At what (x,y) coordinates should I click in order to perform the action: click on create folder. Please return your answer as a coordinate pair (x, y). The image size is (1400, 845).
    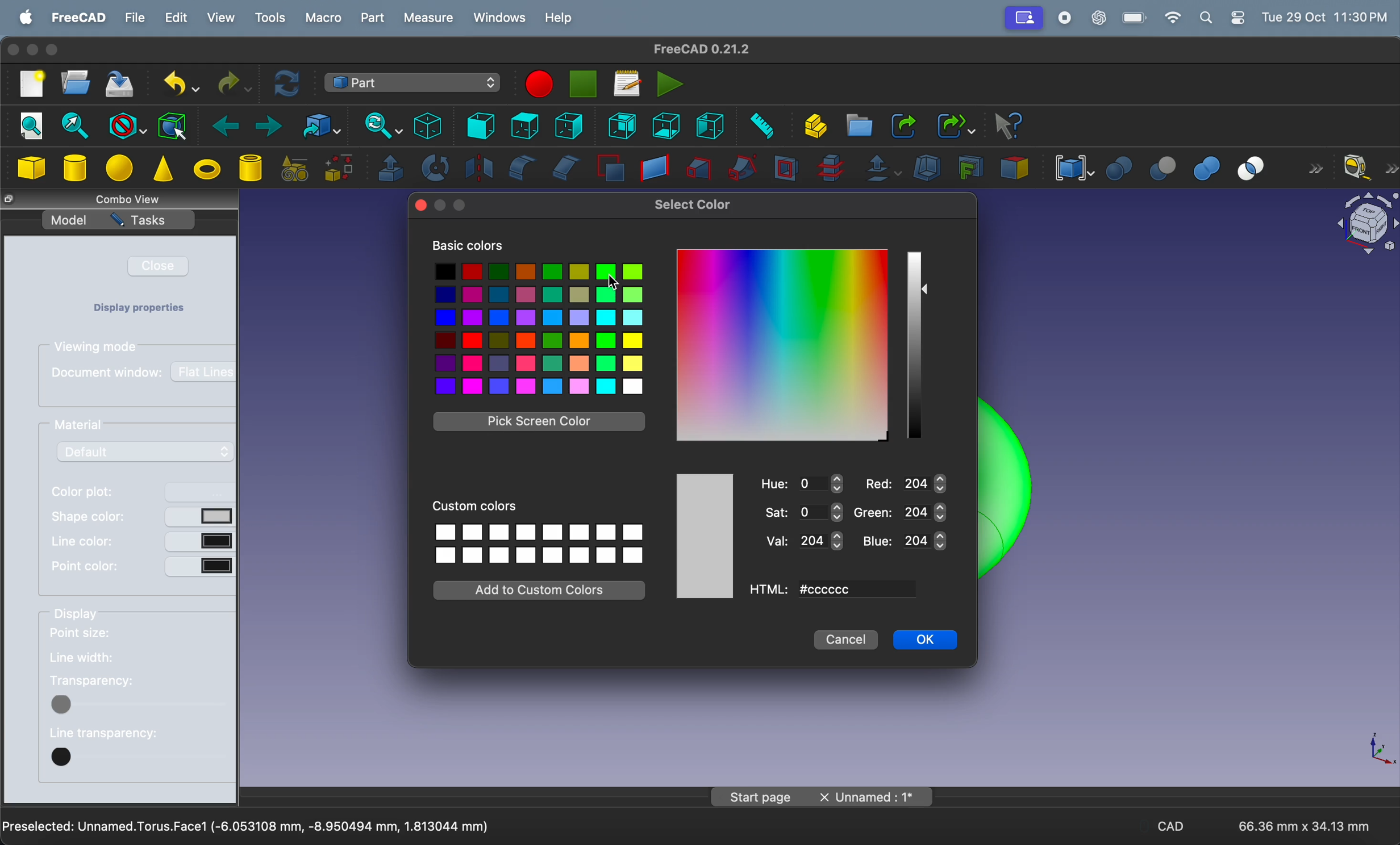
    Looking at the image, I should click on (859, 126).